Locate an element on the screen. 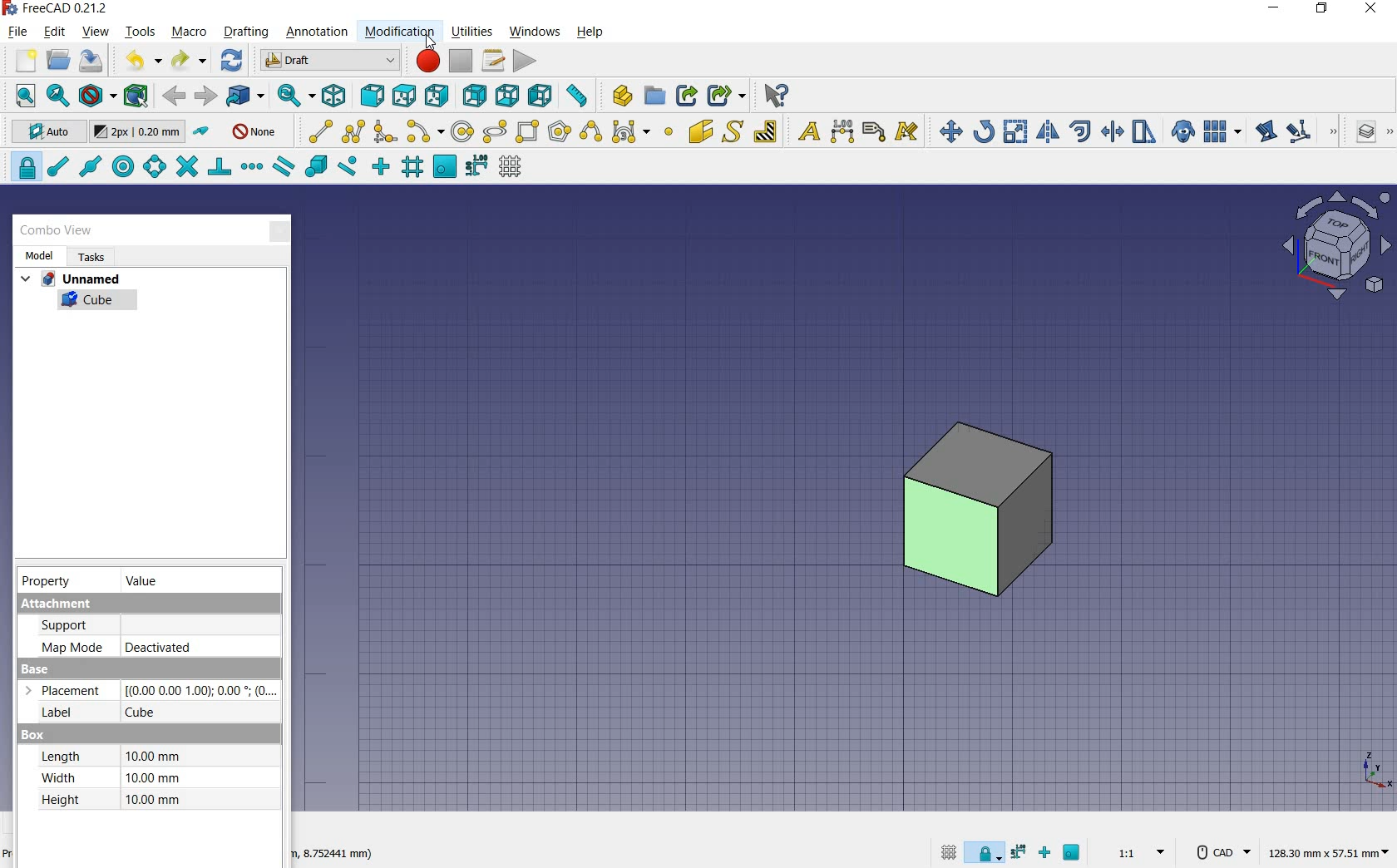 Image resolution: width=1397 pixels, height=868 pixels. utilities is located at coordinates (474, 31).